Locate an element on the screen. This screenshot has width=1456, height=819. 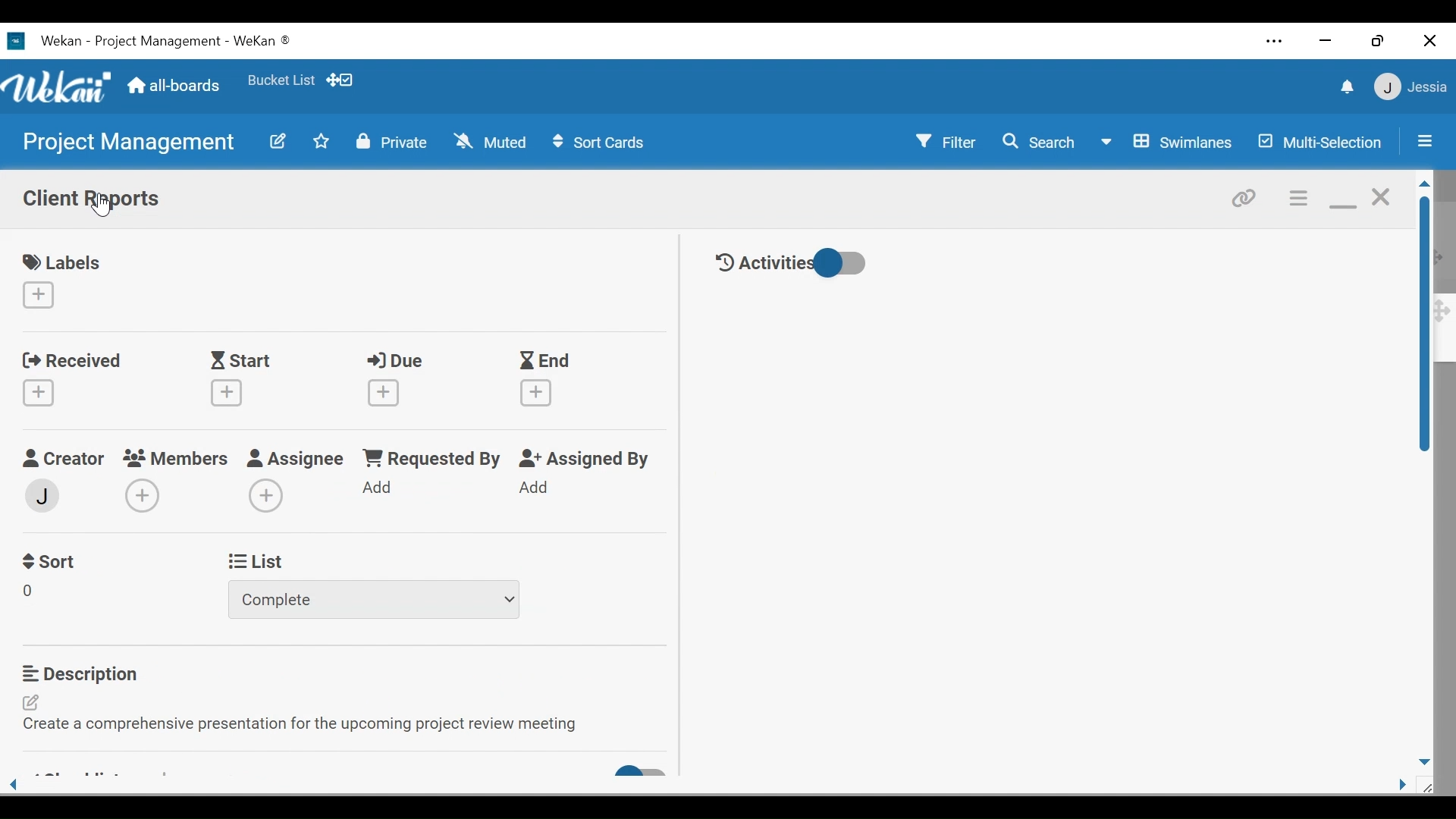
minimize is located at coordinates (1326, 41).